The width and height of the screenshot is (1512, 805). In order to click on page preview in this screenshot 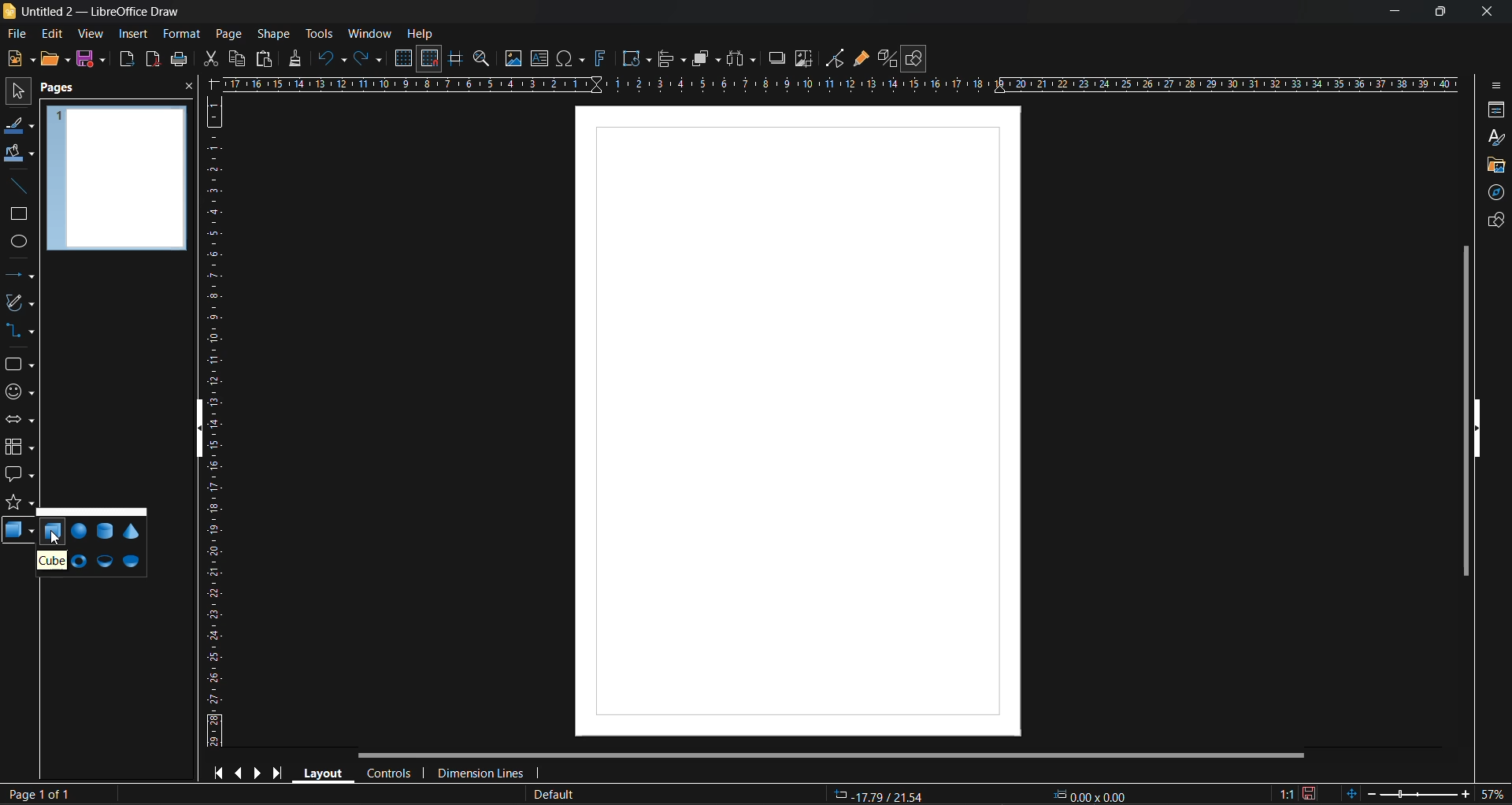, I will do `click(120, 180)`.